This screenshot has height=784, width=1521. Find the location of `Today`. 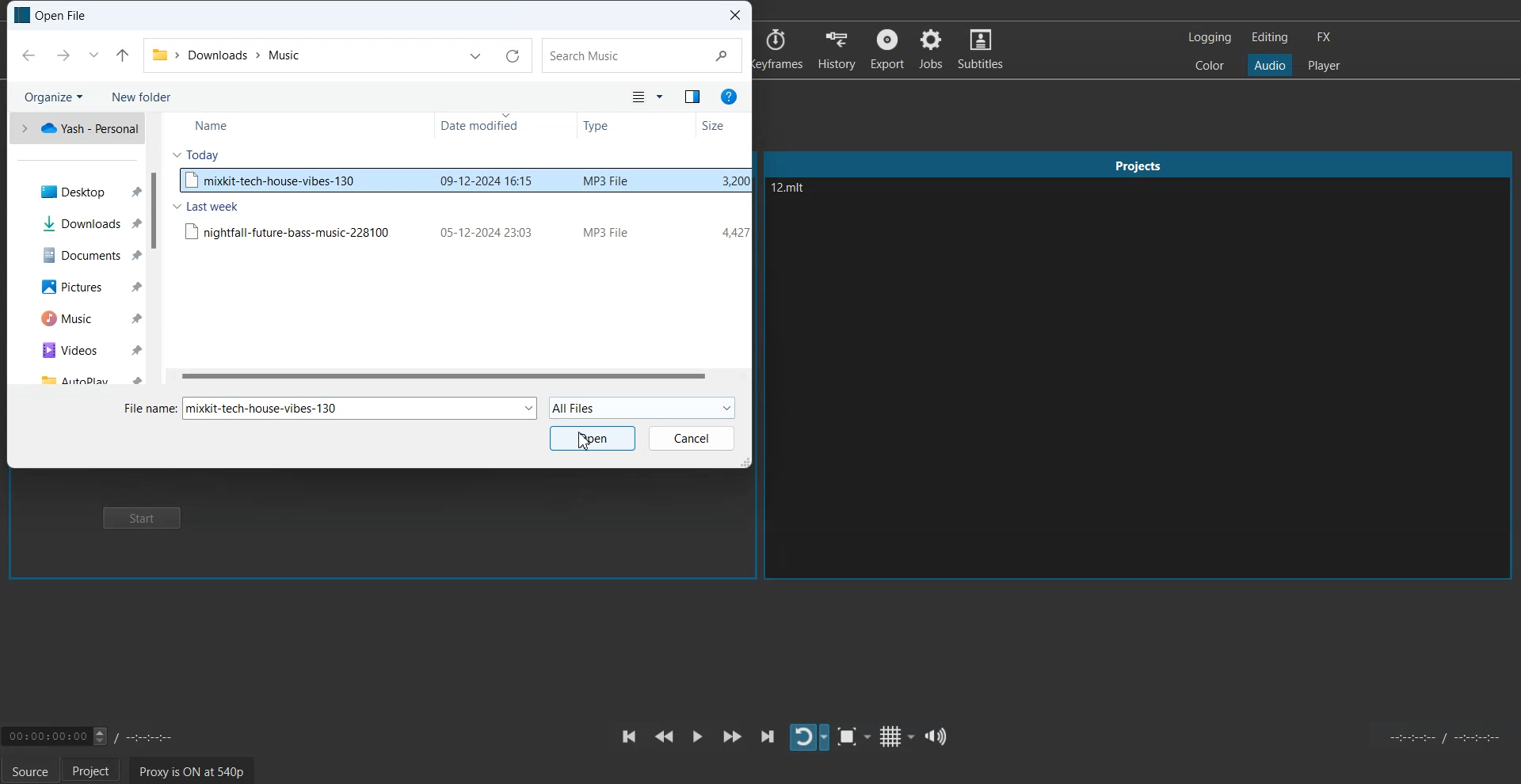

Today is located at coordinates (197, 154).